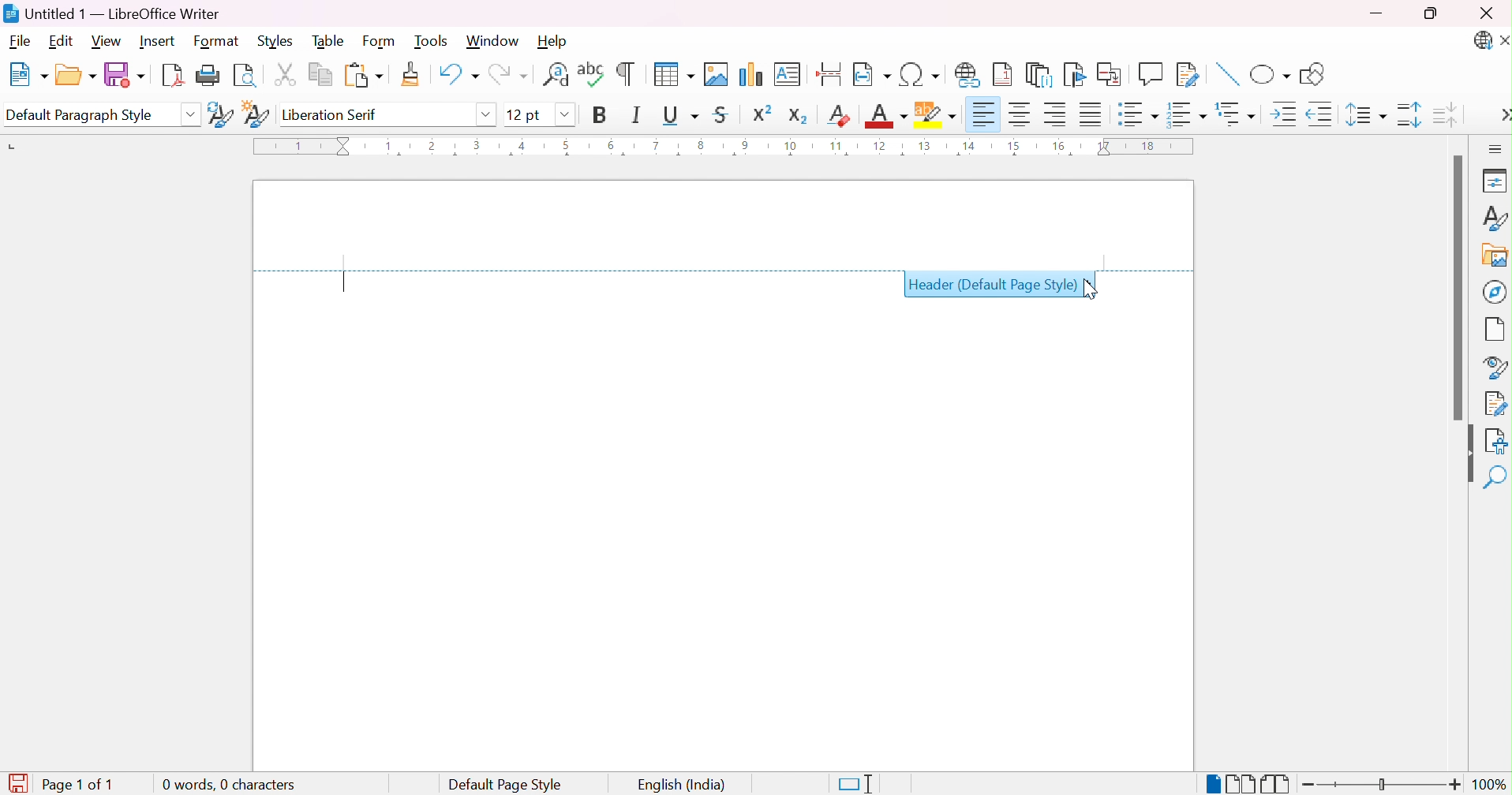 Image resolution: width=1512 pixels, height=795 pixels. What do you see at coordinates (1495, 405) in the screenshot?
I see `Manage changes` at bounding box center [1495, 405].